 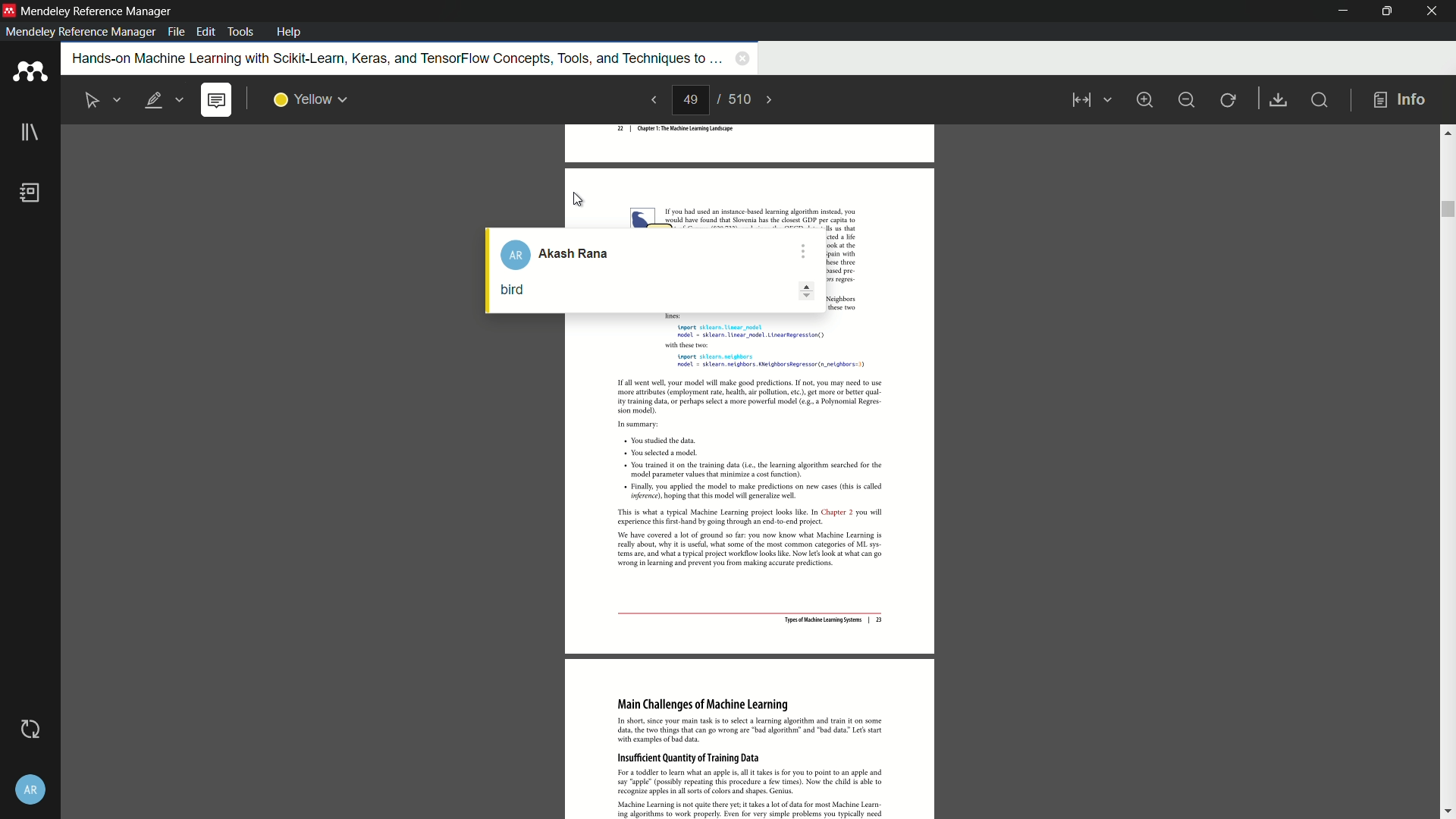 What do you see at coordinates (218, 100) in the screenshot?
I see `note selected` at bounding box center [218, 100].